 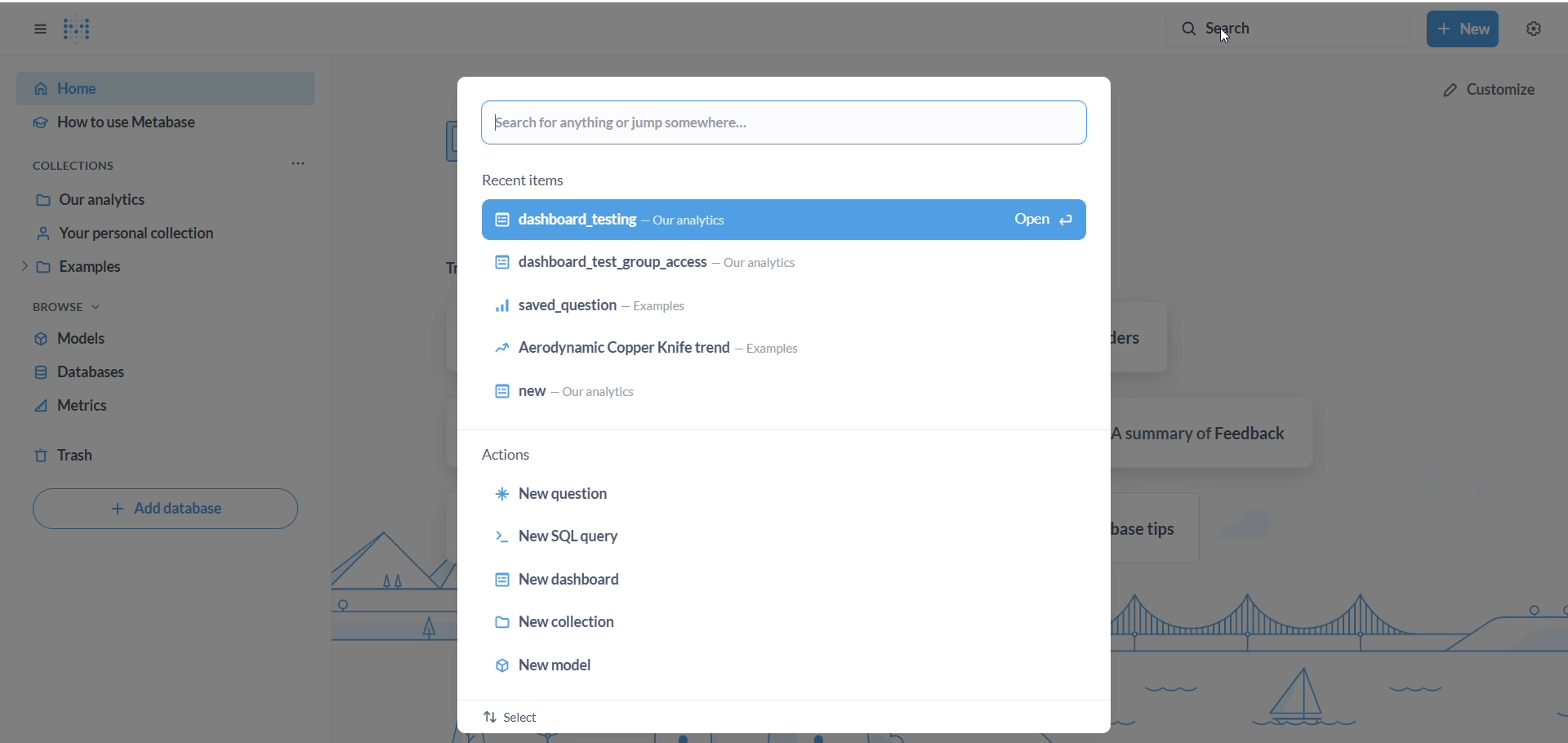 What do you see at coordinates (1537, 29) in the screenshot?
I see `settings` at bounding box center [1537, 29].